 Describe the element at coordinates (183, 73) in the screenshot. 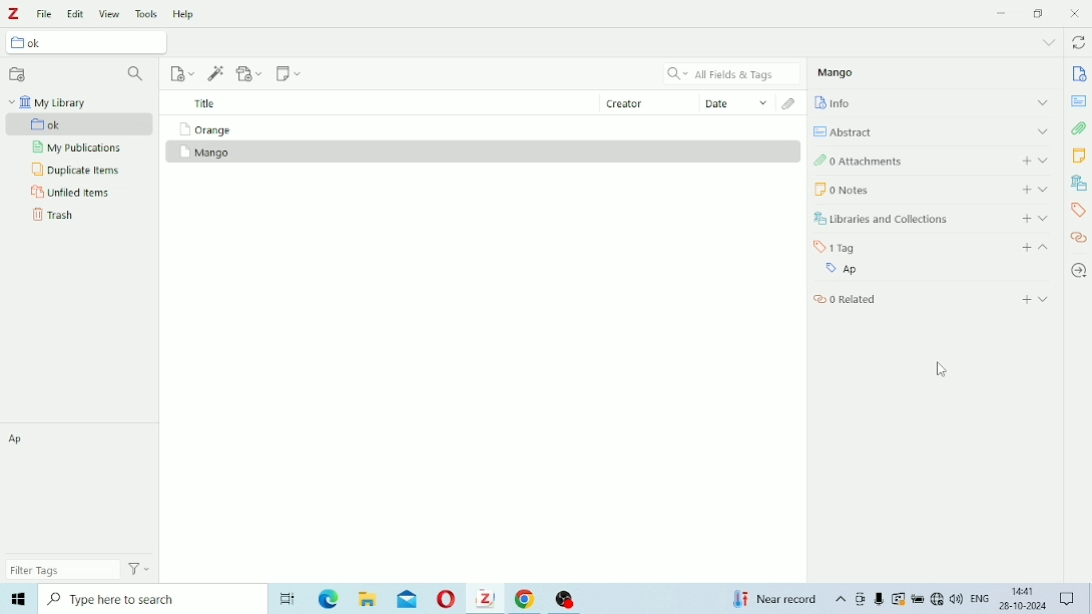

I see `New Item` at that location.